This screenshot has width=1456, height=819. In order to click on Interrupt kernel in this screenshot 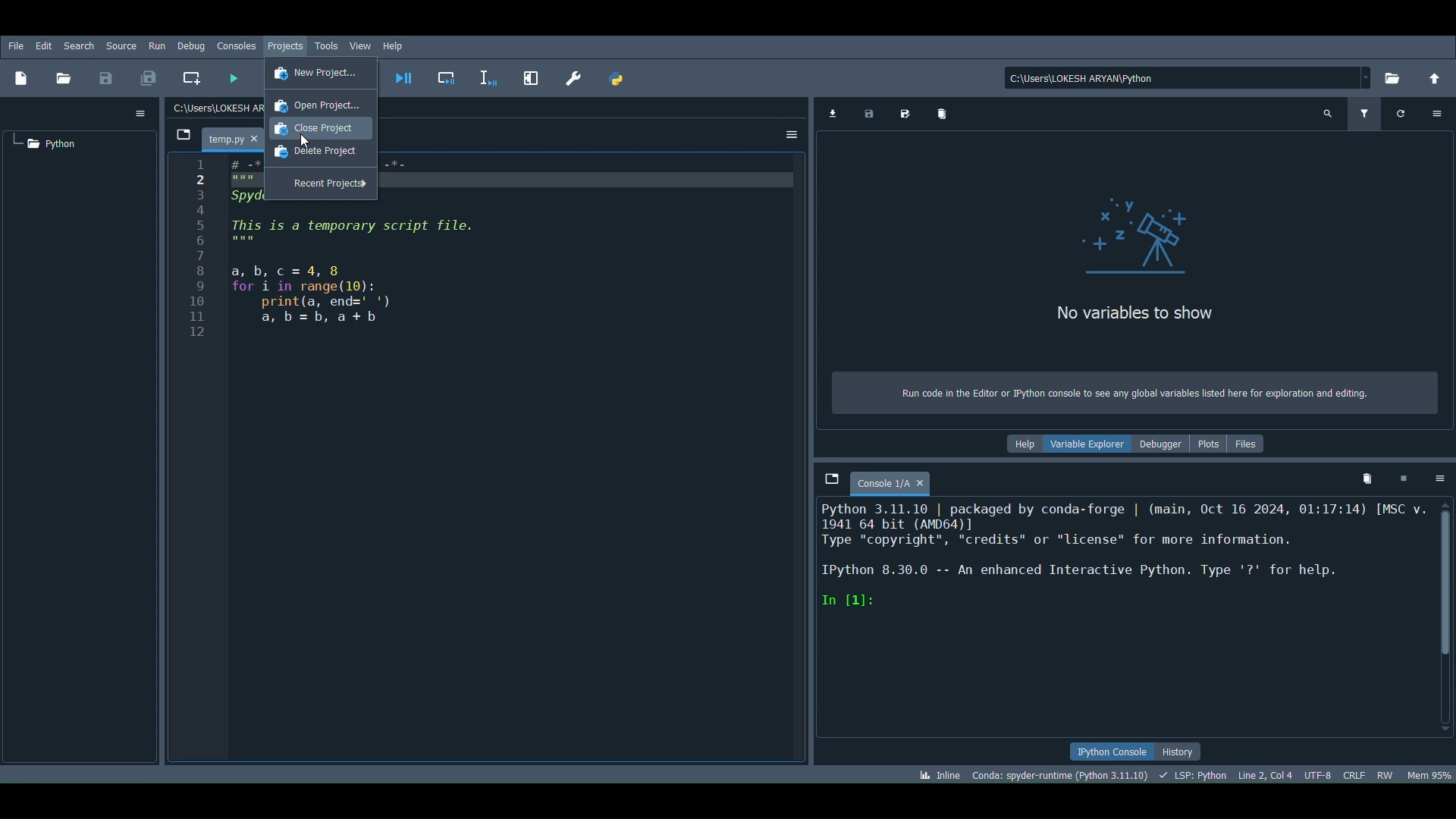, I will do `click(1403, 479)`.